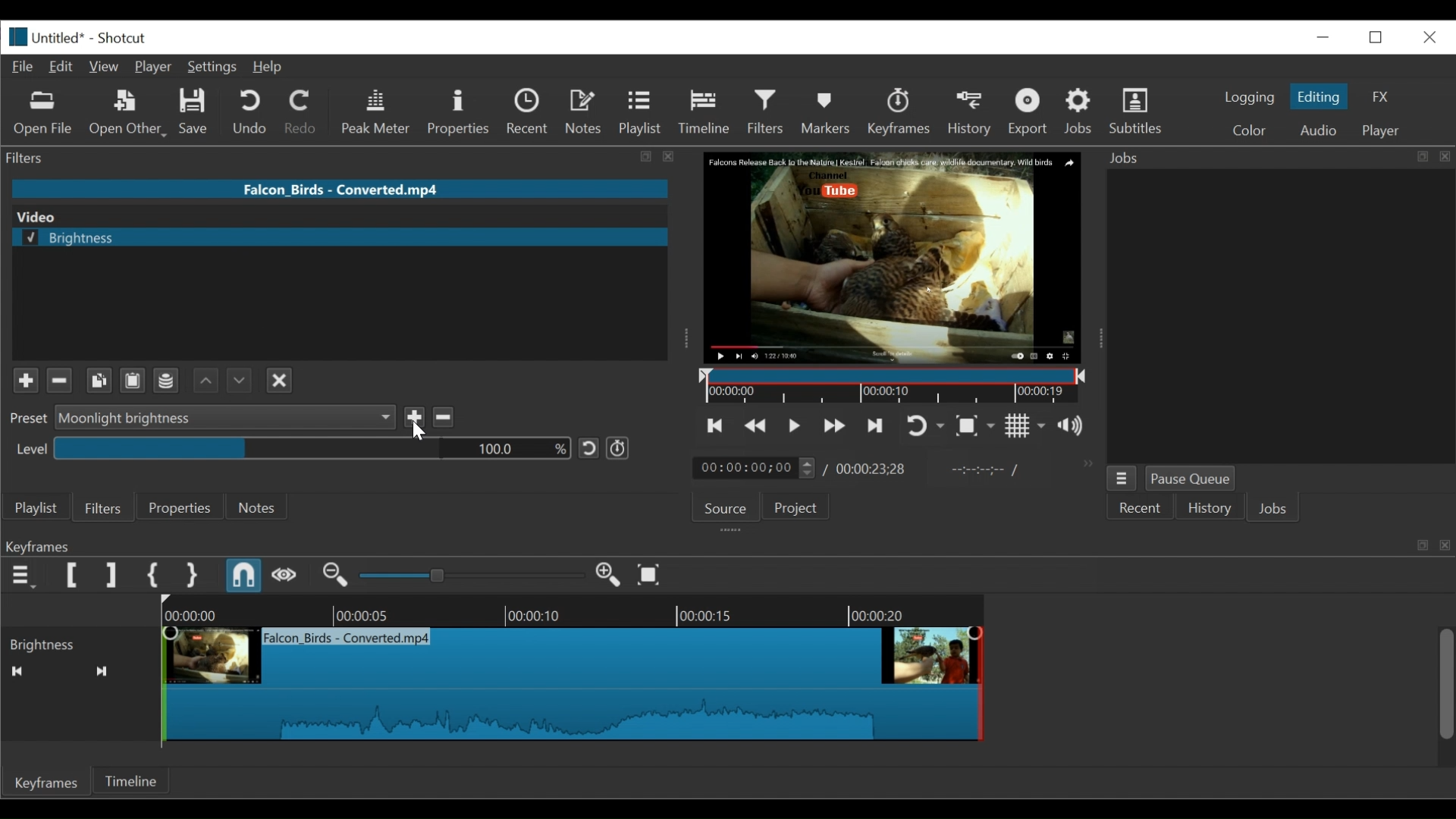 Image resolution: width=1456 pixels, height=819 pixels. I want to click on Keyframe menu, so click(23, 576).